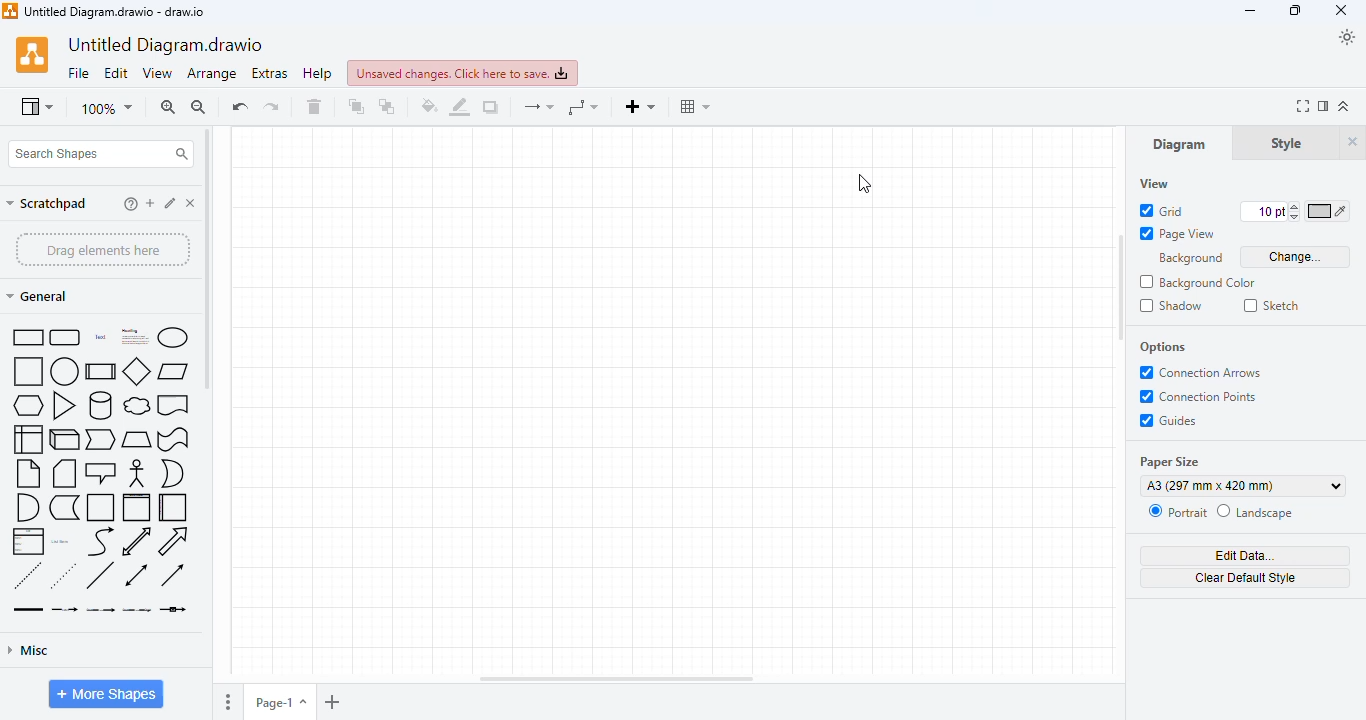 Image resolution: width=1366 pixels, height=720 pixels. What do you see at coordinates (229, 703) in the screenshot?
I see `options` at bounding box center [229, 703].